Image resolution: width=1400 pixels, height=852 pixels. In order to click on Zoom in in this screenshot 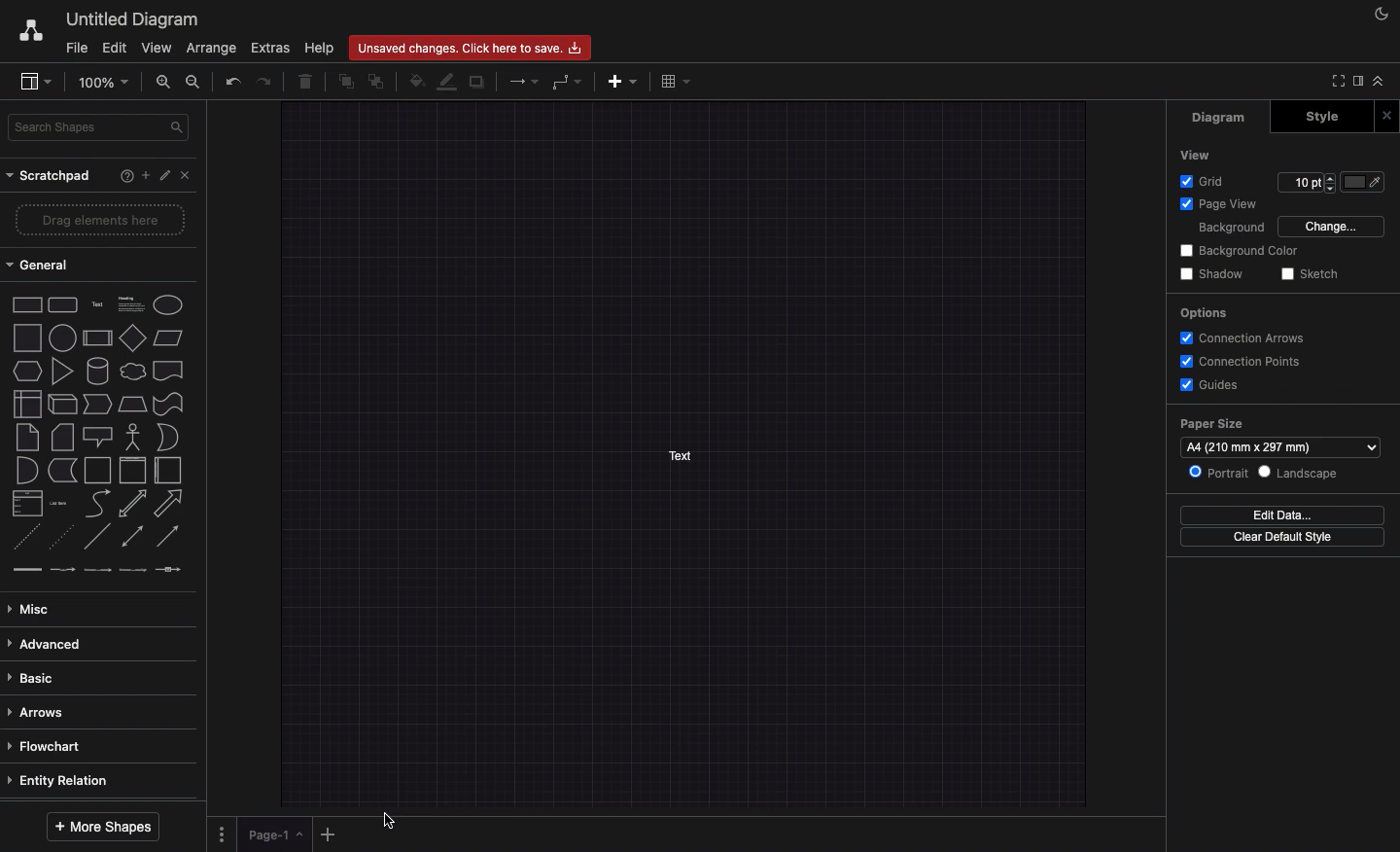, I will do `click(166, 84)`.